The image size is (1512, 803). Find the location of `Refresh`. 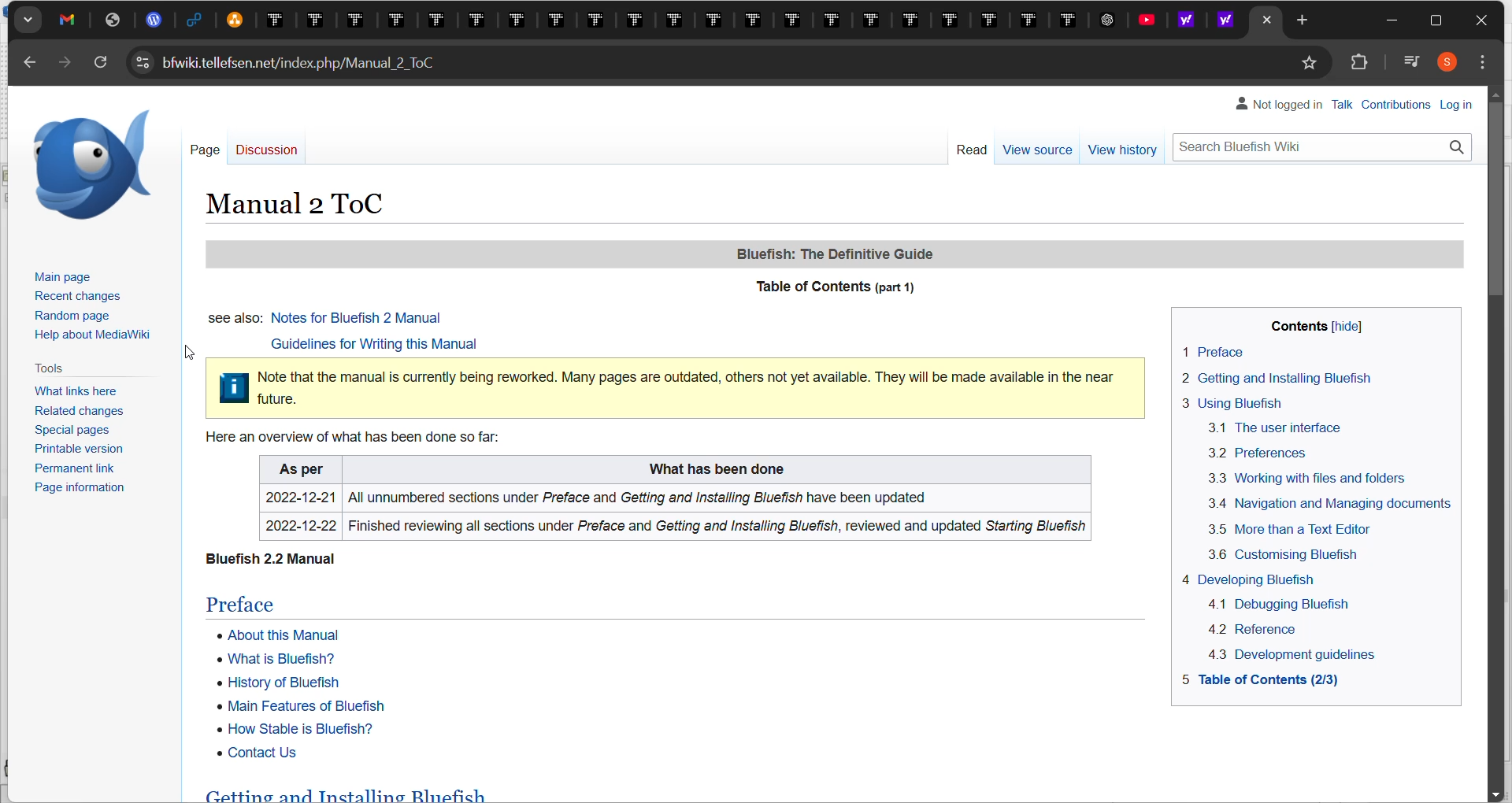

Refresh is located at coordinates (101, 62).